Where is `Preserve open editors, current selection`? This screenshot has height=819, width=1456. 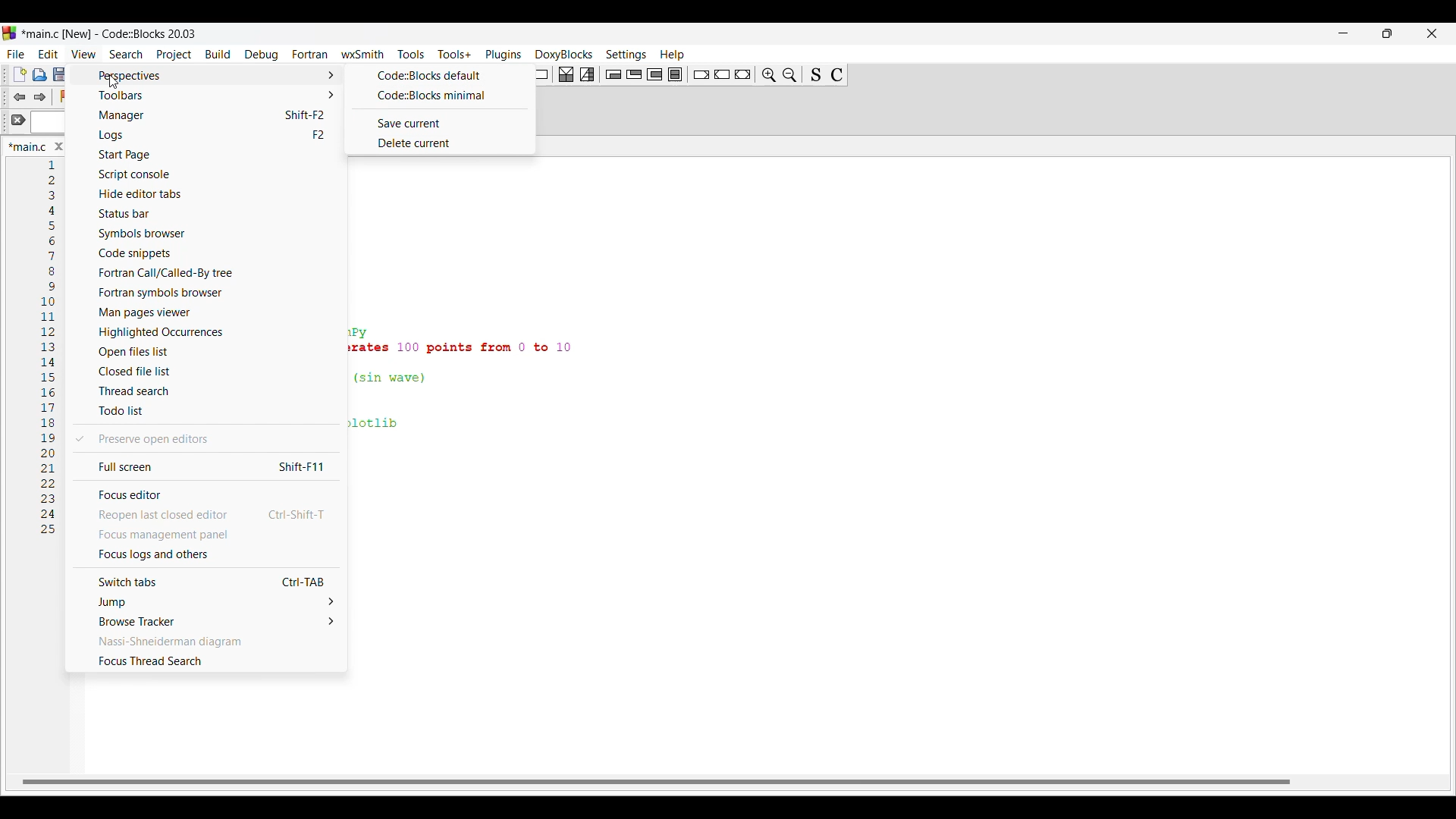
Preserve open editors, current selection is located at coordinates (204, 439).